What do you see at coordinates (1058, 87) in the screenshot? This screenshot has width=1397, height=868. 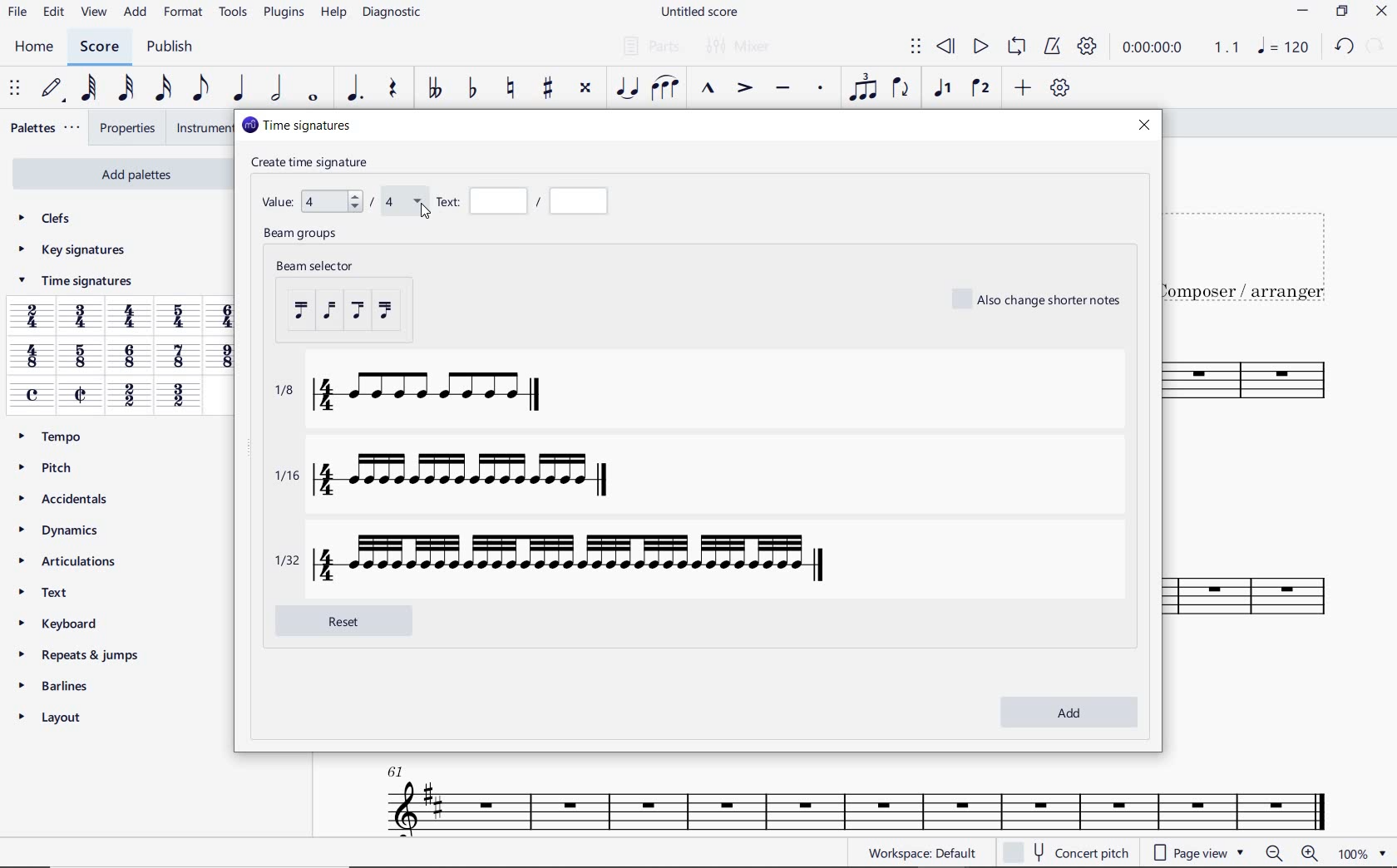 I see `CUSTOMIZE TOOLBAR` at bounding box center [1058, 87].